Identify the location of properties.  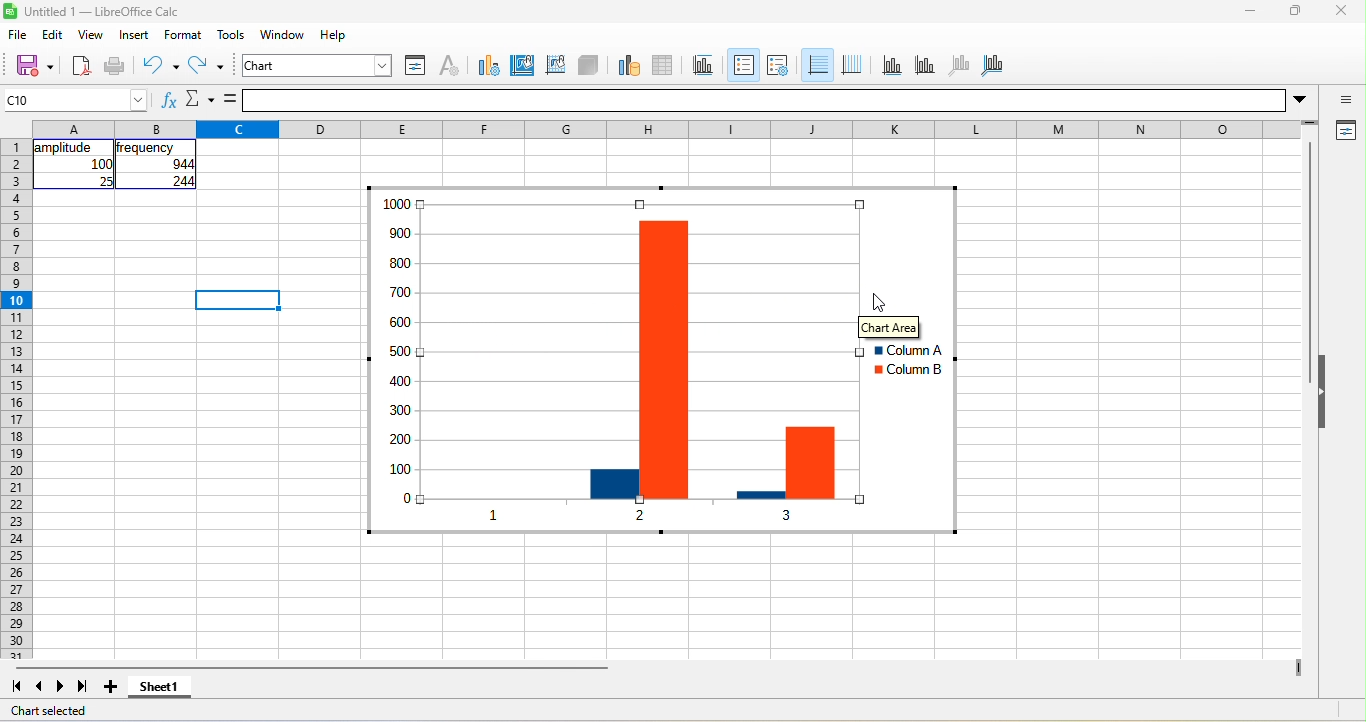
(1344, 132).